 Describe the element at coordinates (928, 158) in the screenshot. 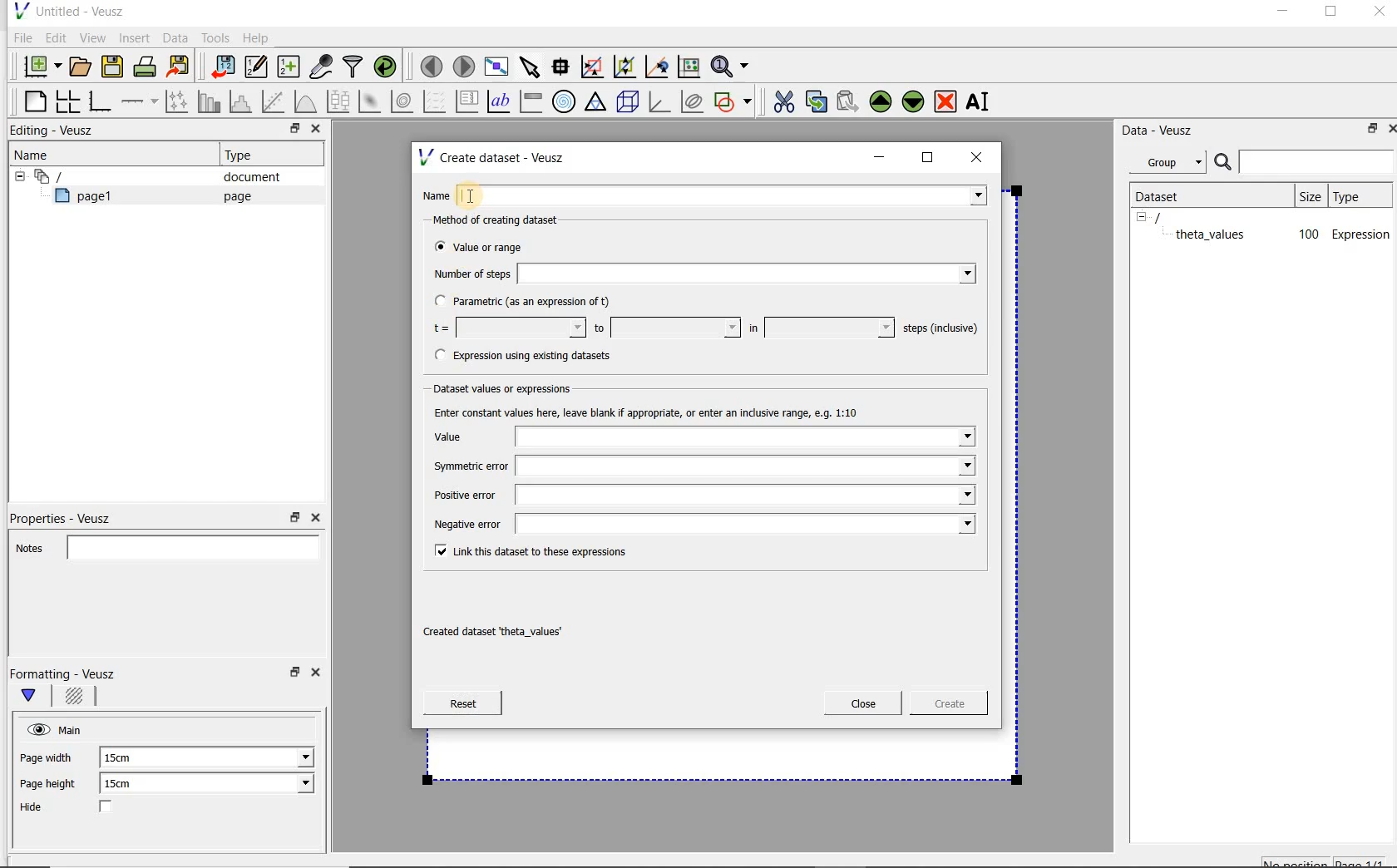

I see `maximize` at that location.